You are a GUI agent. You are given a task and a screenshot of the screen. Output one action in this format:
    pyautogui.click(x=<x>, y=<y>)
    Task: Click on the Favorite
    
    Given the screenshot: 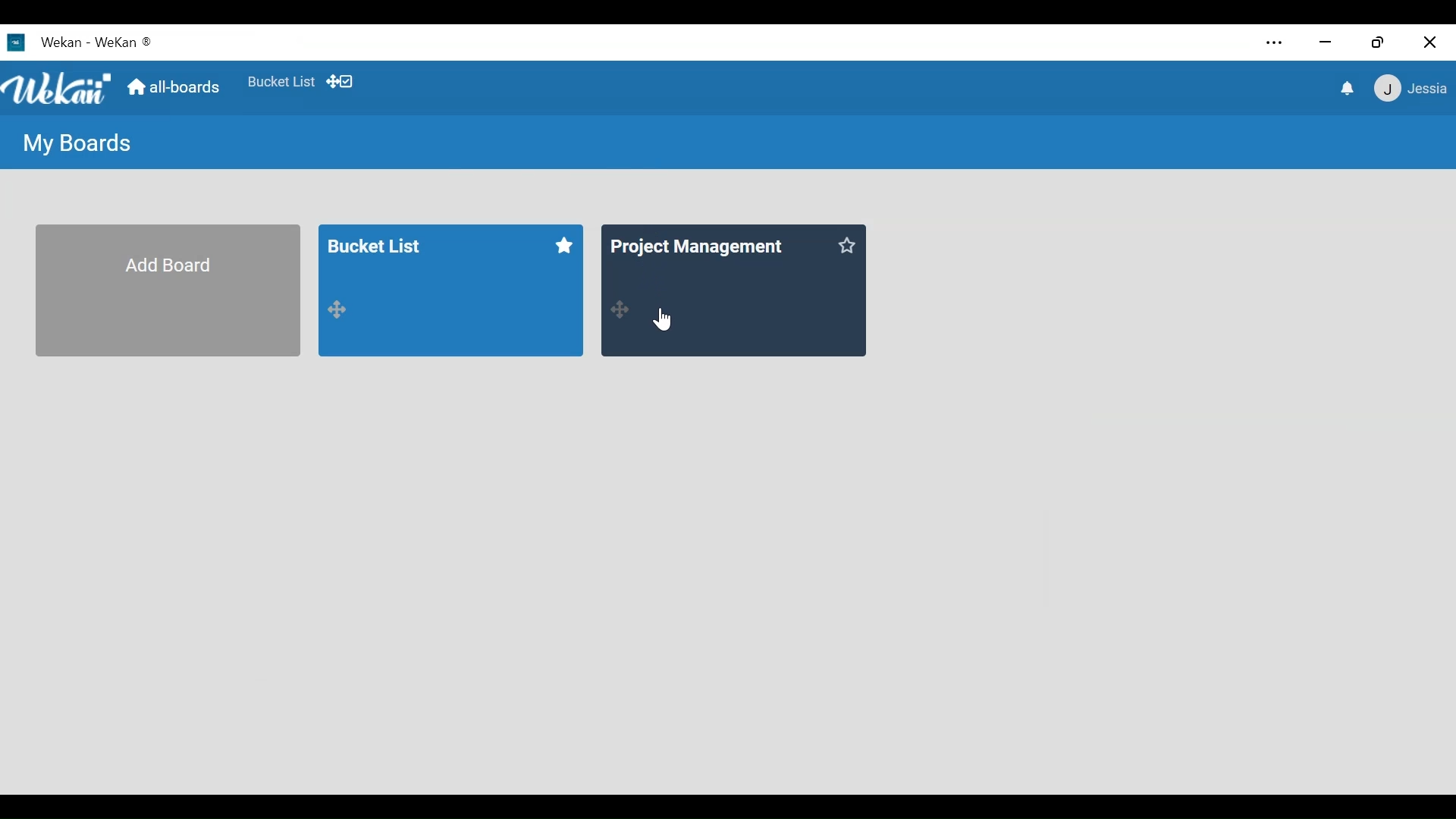 What is the action you would take?
    pyautogui.click(x=280, y=83)
    